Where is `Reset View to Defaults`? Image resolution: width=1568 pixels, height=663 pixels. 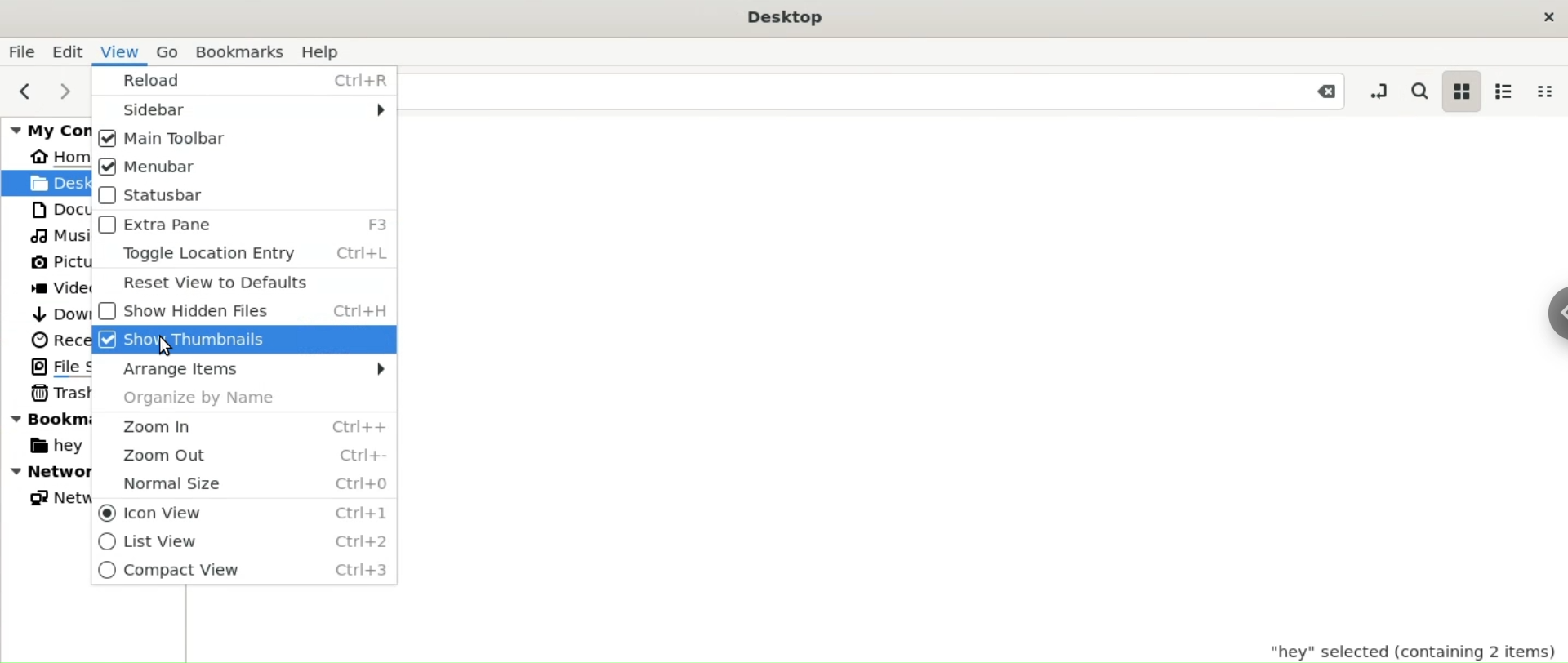 Reset View to Defaults is located at coordinates (244, 281).